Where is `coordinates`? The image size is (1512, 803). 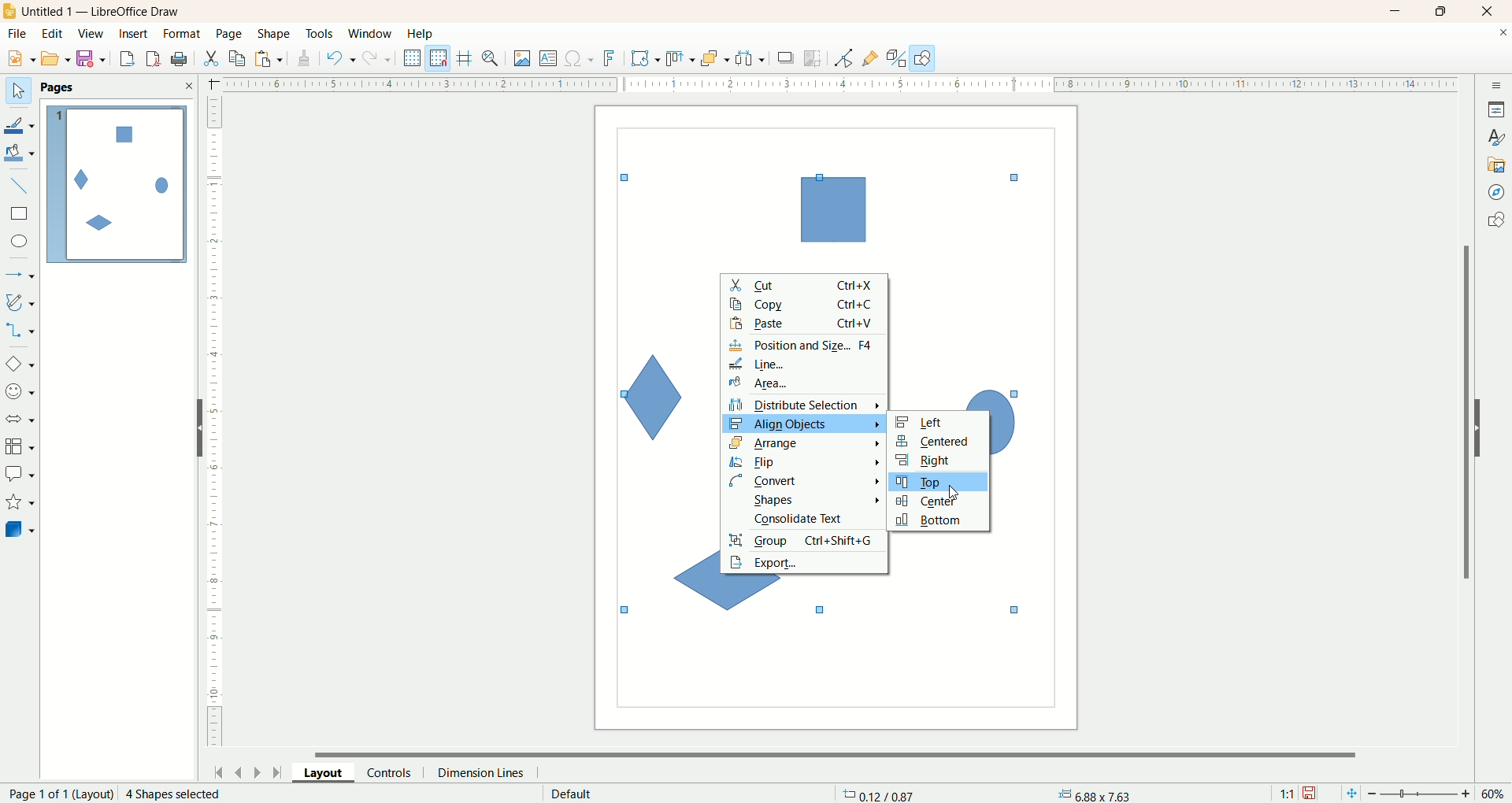
coordinates is located at coordinates (880, 794).